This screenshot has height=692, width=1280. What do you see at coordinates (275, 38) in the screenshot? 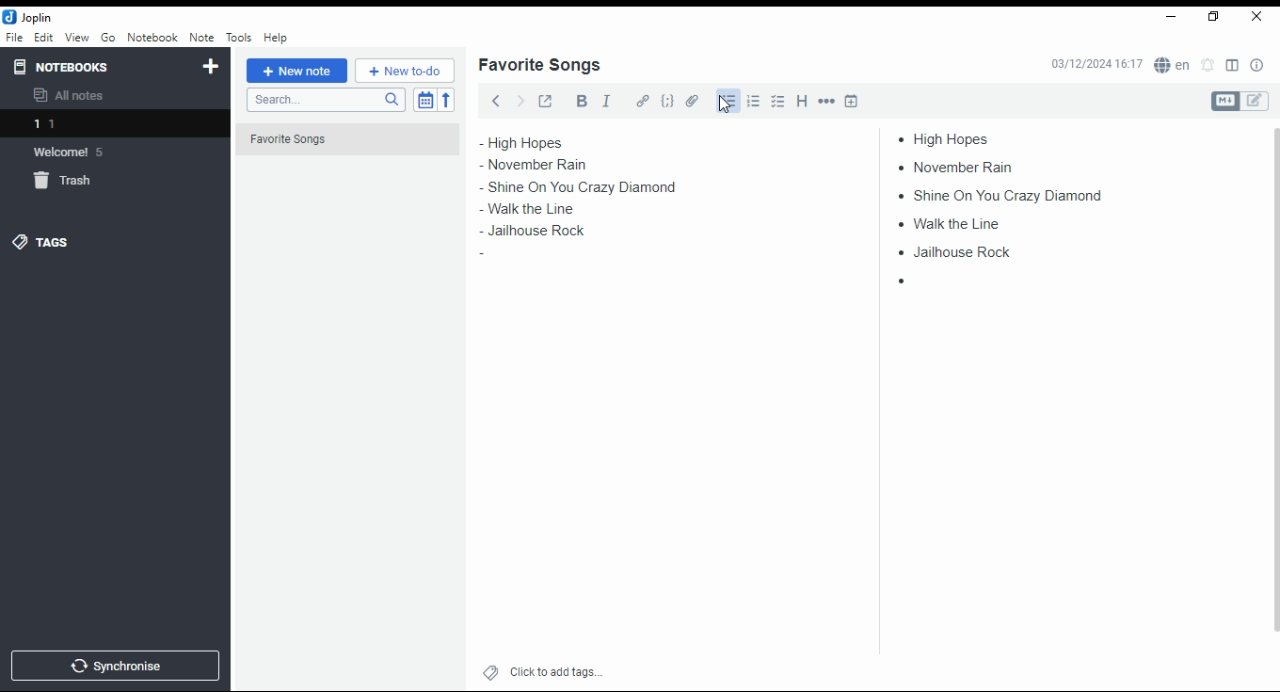
I see `help` at bounding box center [275, 38].